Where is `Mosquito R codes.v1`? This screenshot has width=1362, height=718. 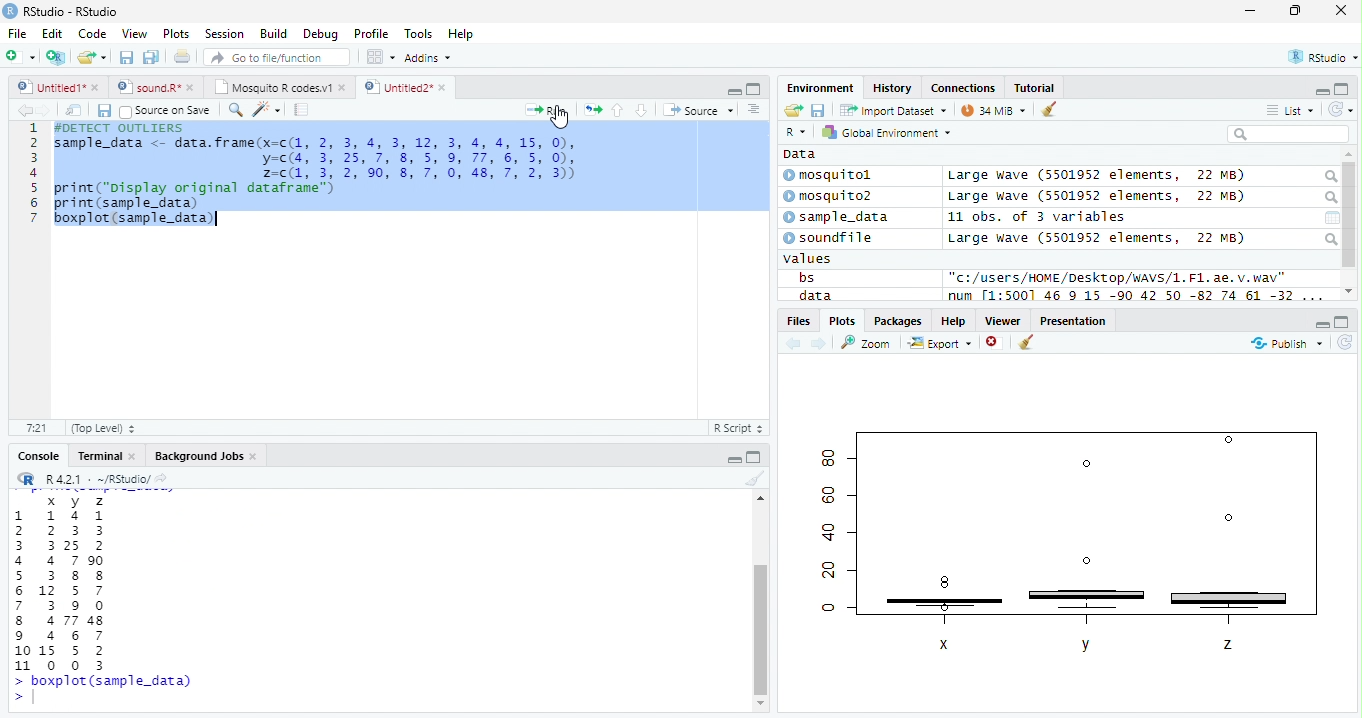 Mosquito R codes.v1 is located at coordinates (277, 86).